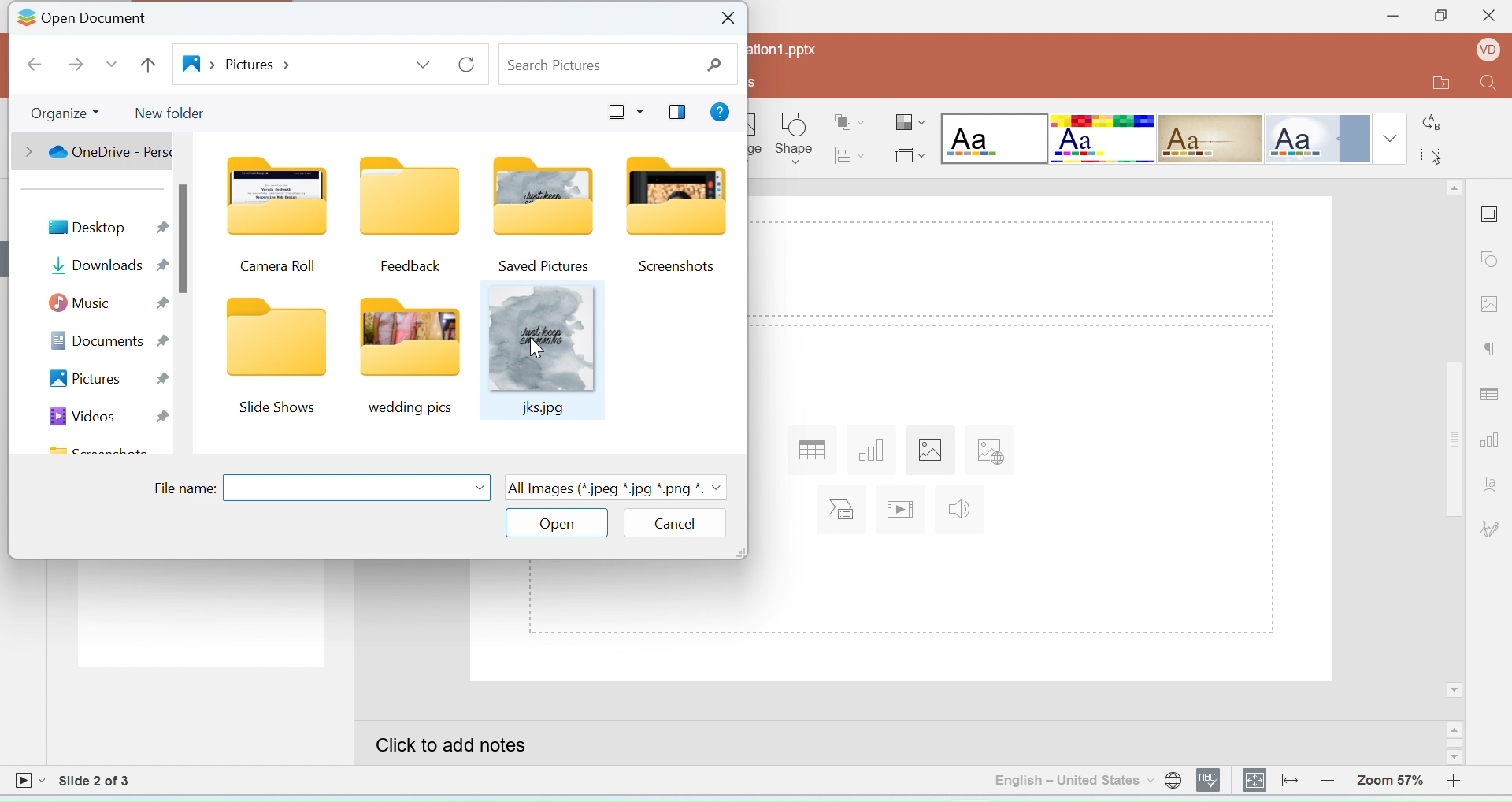 This screenshot has height=802, width=1512. I want to click on older-5, so click(273, 361).